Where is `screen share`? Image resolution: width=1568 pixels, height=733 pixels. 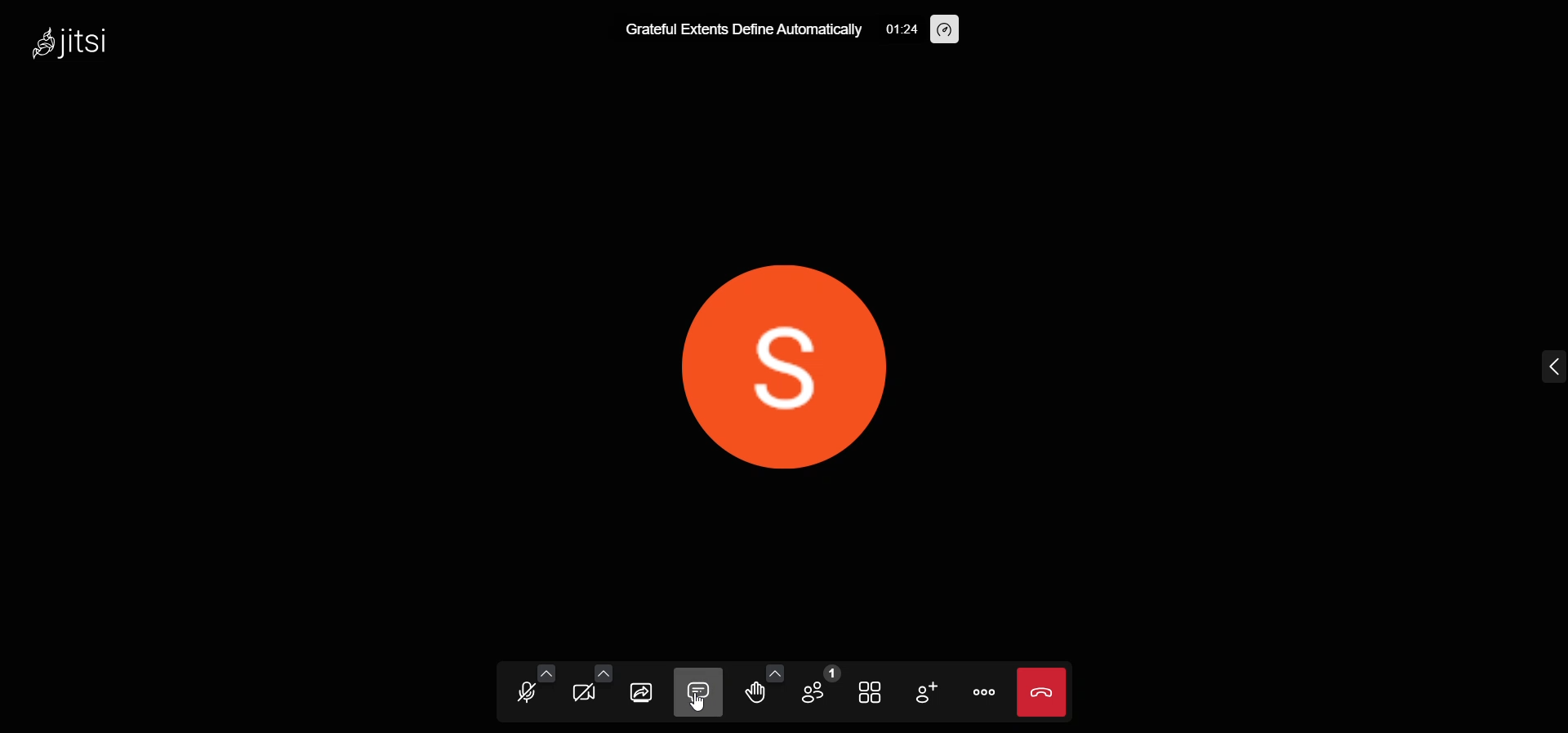 screen share is located at coordinates (644, 690).